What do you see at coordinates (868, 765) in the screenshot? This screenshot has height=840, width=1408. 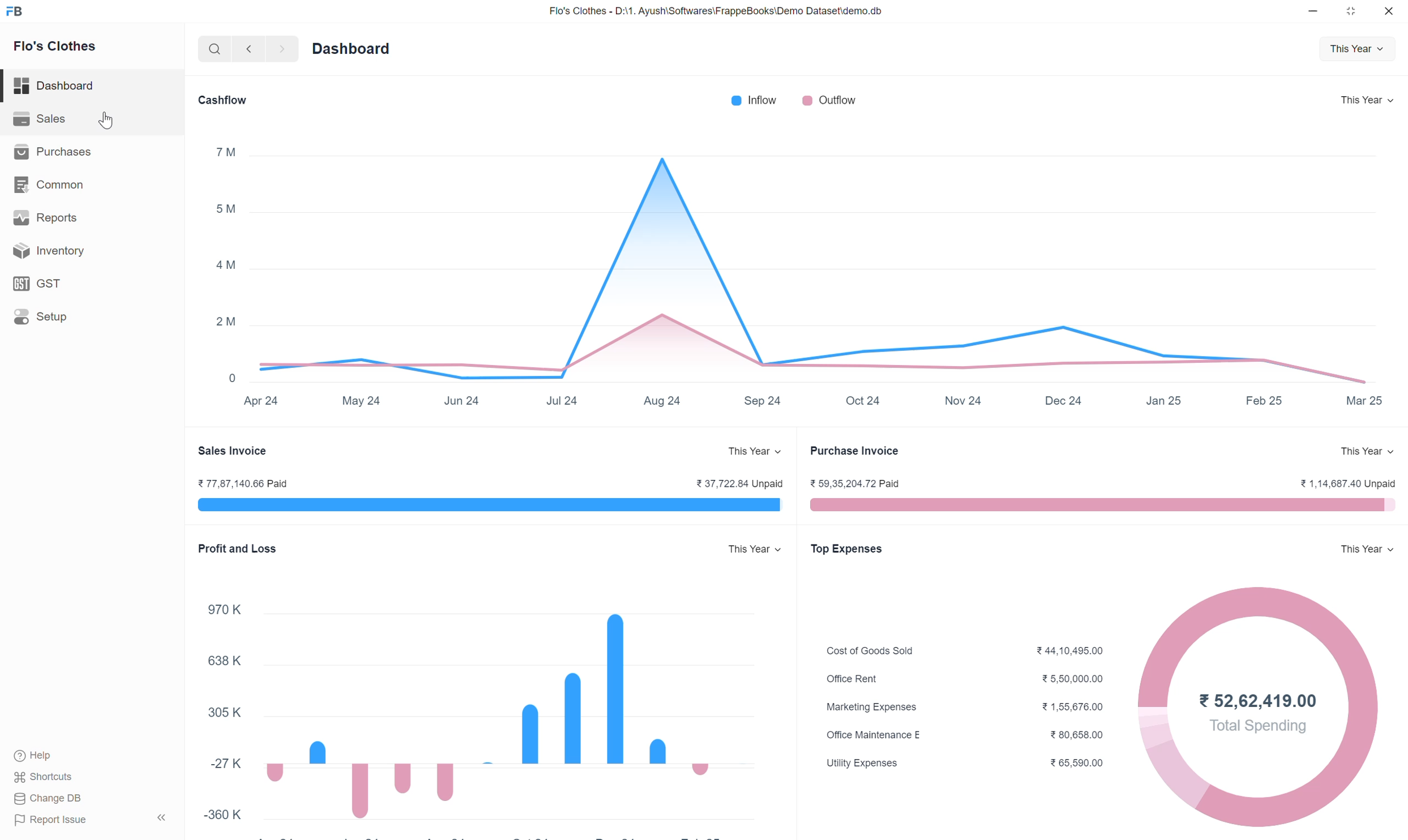 I see `Utility Expenses` at bounding box center [868, 765].